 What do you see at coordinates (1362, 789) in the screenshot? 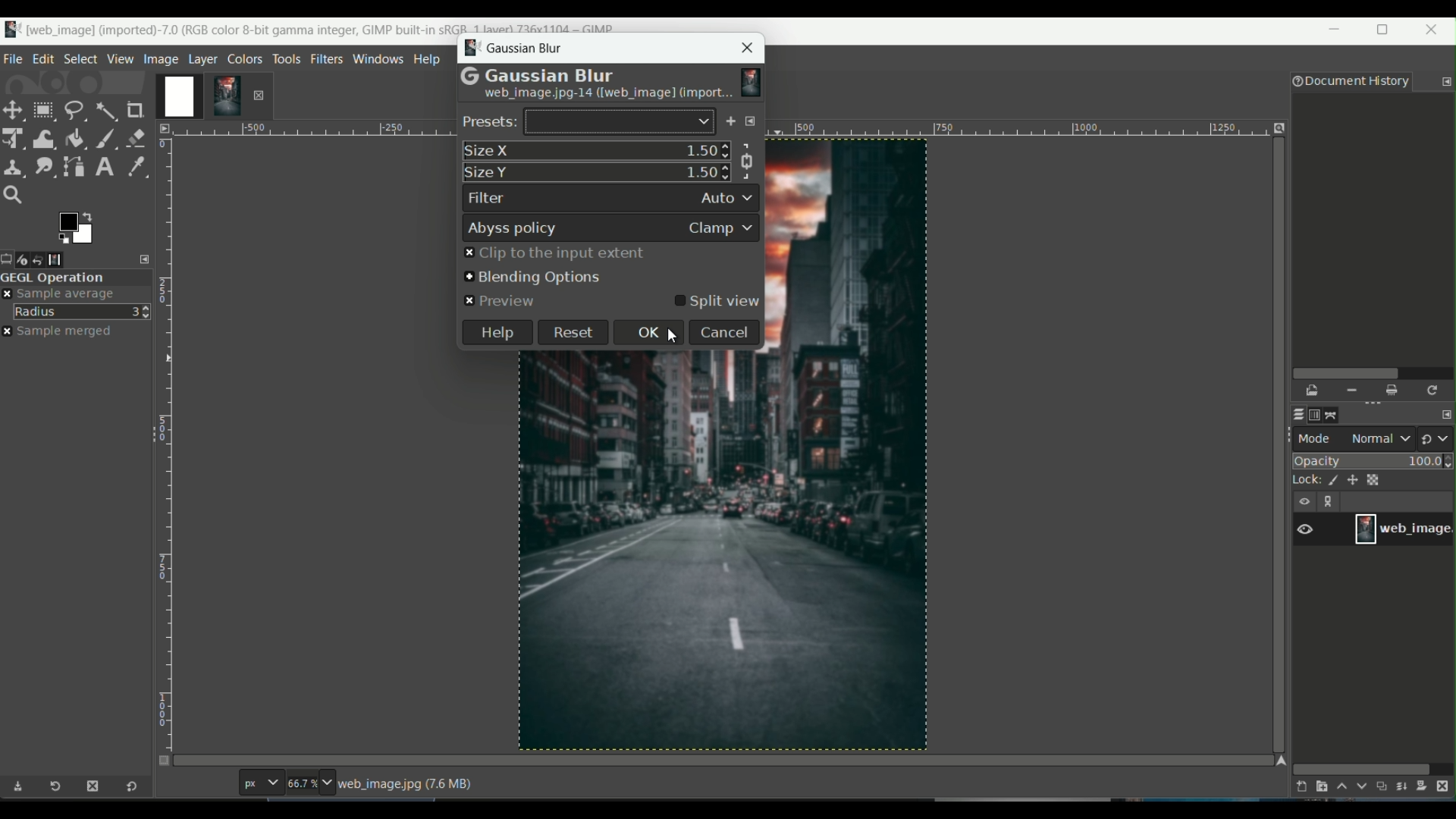
I see `lower layer` at bounding box center [1362, 789].